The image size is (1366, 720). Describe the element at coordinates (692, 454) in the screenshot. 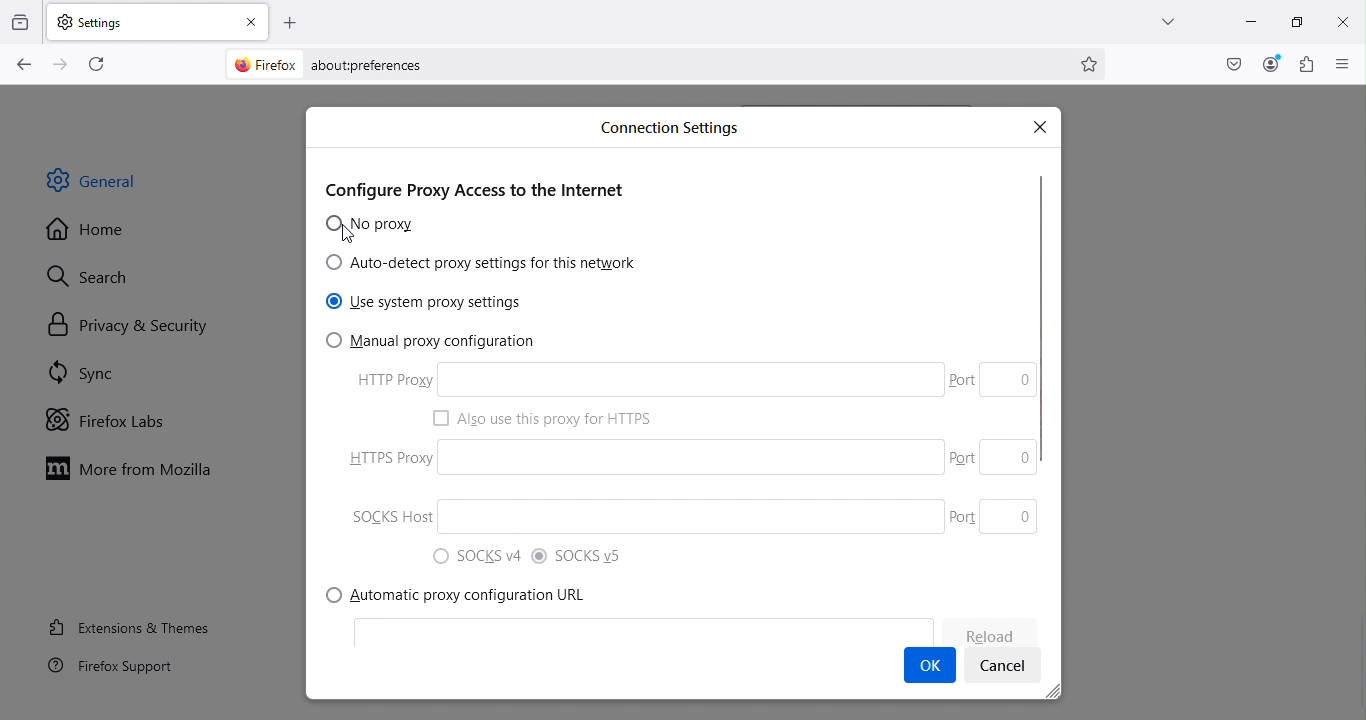

I see `HTTPS proxy` at that location.